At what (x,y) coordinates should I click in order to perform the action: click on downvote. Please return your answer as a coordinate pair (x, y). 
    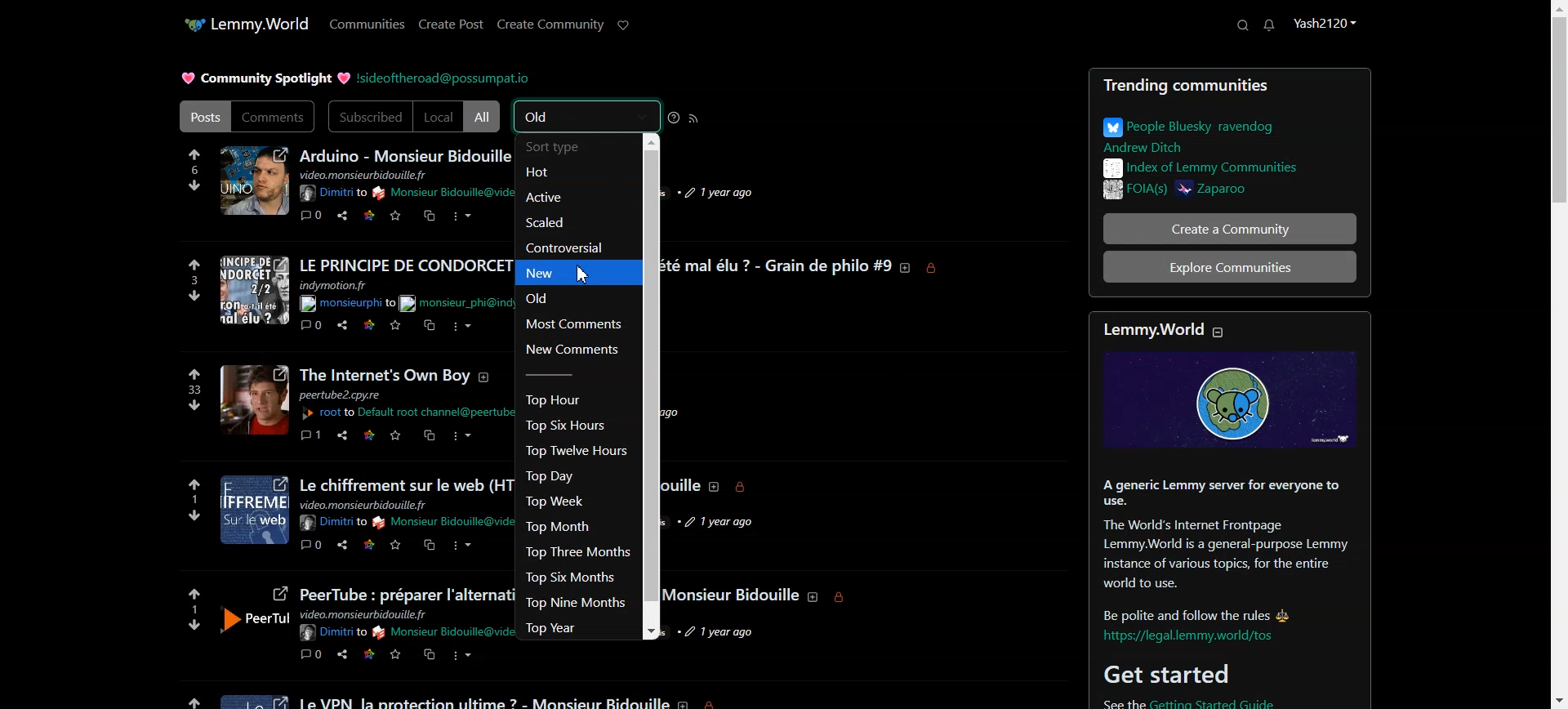
    Looking at the image, I should click on (197, 296).